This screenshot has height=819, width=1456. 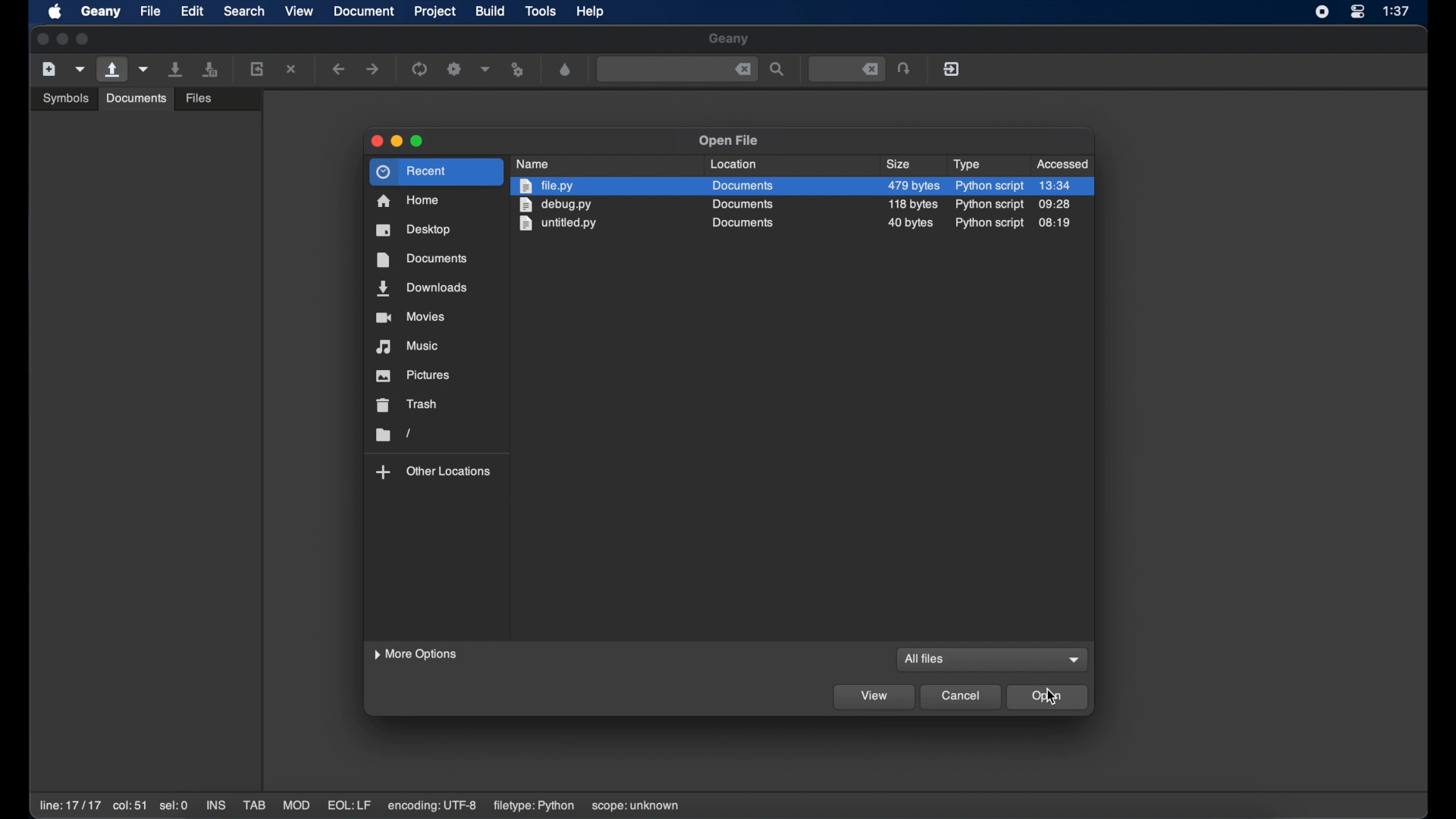 What do you see at coordinates (905, 68) in the screenshot?
I see `jump to the entered line number` at bounding box center [905, 68].